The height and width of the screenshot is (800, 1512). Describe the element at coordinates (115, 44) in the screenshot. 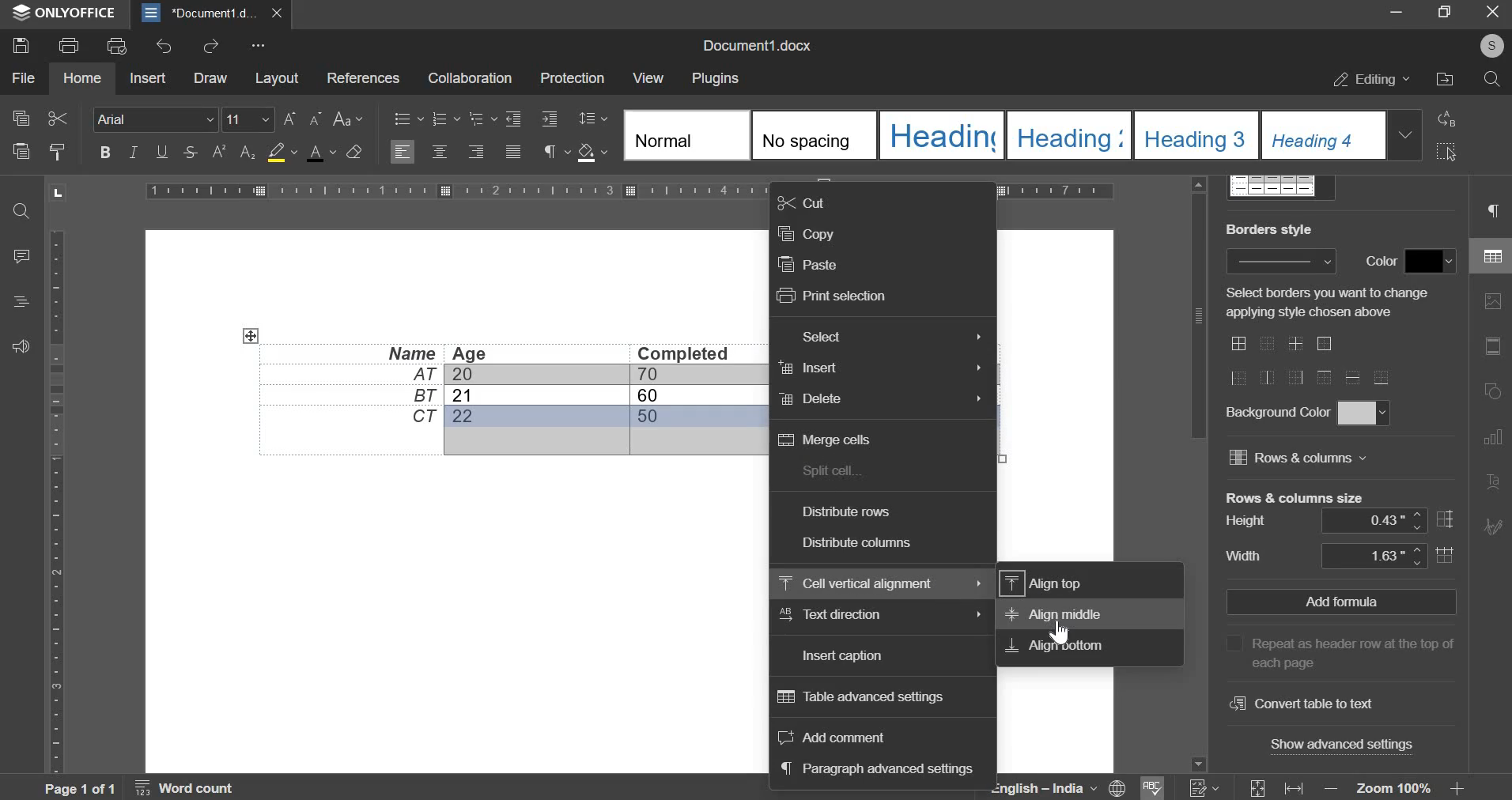

I see `print preview` at that location.